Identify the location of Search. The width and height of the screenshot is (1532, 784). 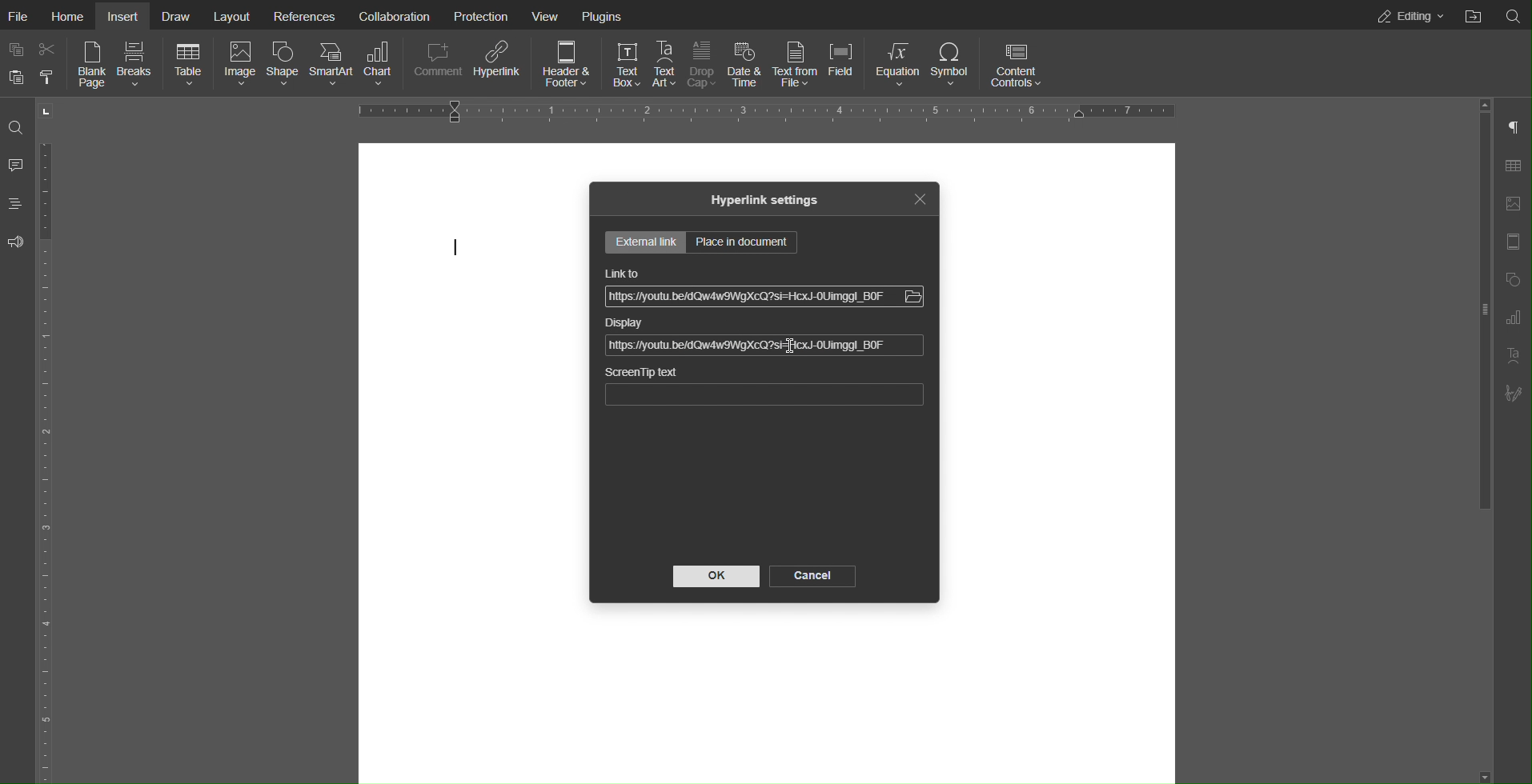
(1514, 16).